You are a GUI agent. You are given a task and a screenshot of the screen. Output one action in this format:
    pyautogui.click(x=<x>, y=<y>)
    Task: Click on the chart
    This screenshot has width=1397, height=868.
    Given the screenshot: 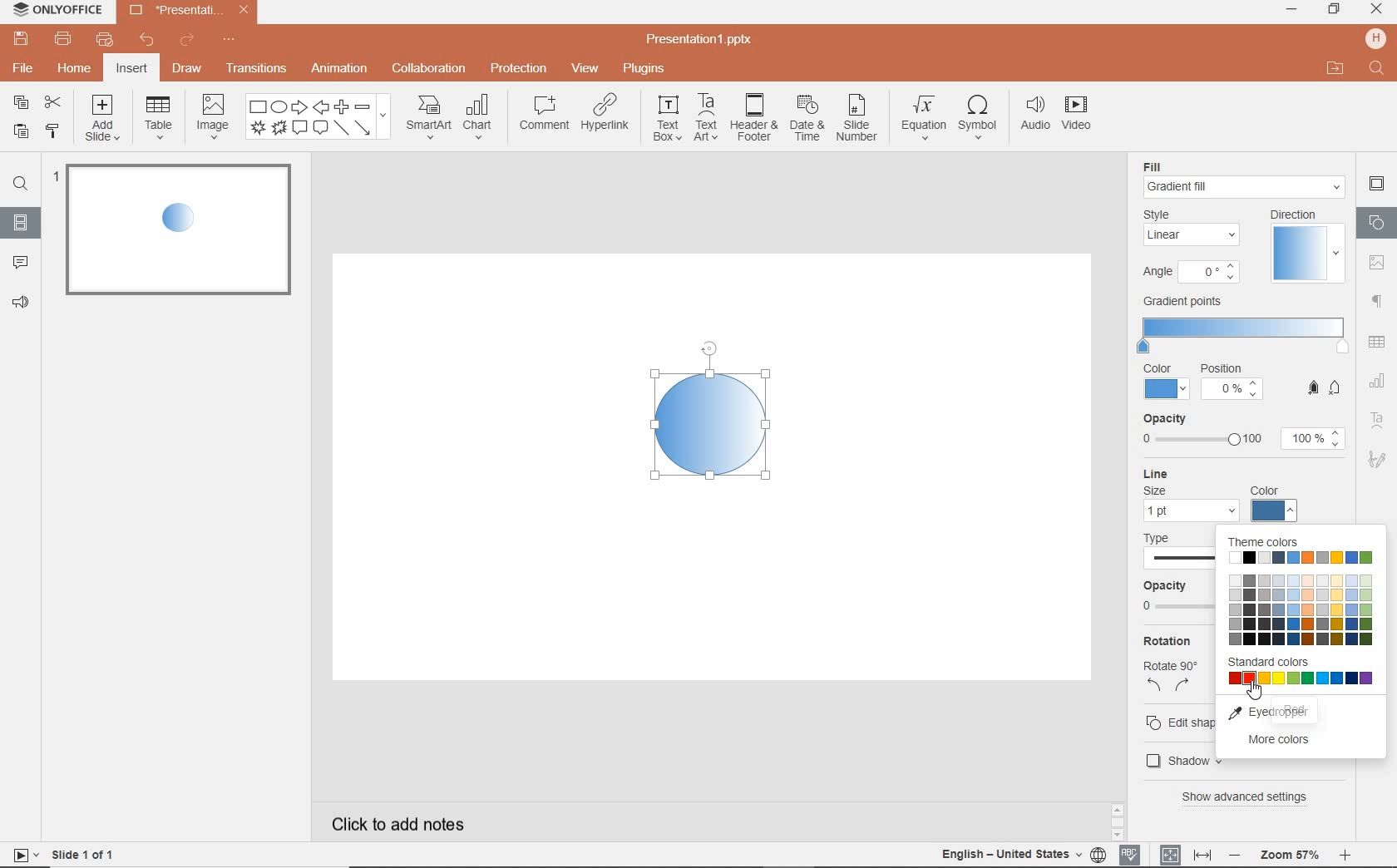 What is the action you would take?
    pyautogui.click(x=479, y=118)
    